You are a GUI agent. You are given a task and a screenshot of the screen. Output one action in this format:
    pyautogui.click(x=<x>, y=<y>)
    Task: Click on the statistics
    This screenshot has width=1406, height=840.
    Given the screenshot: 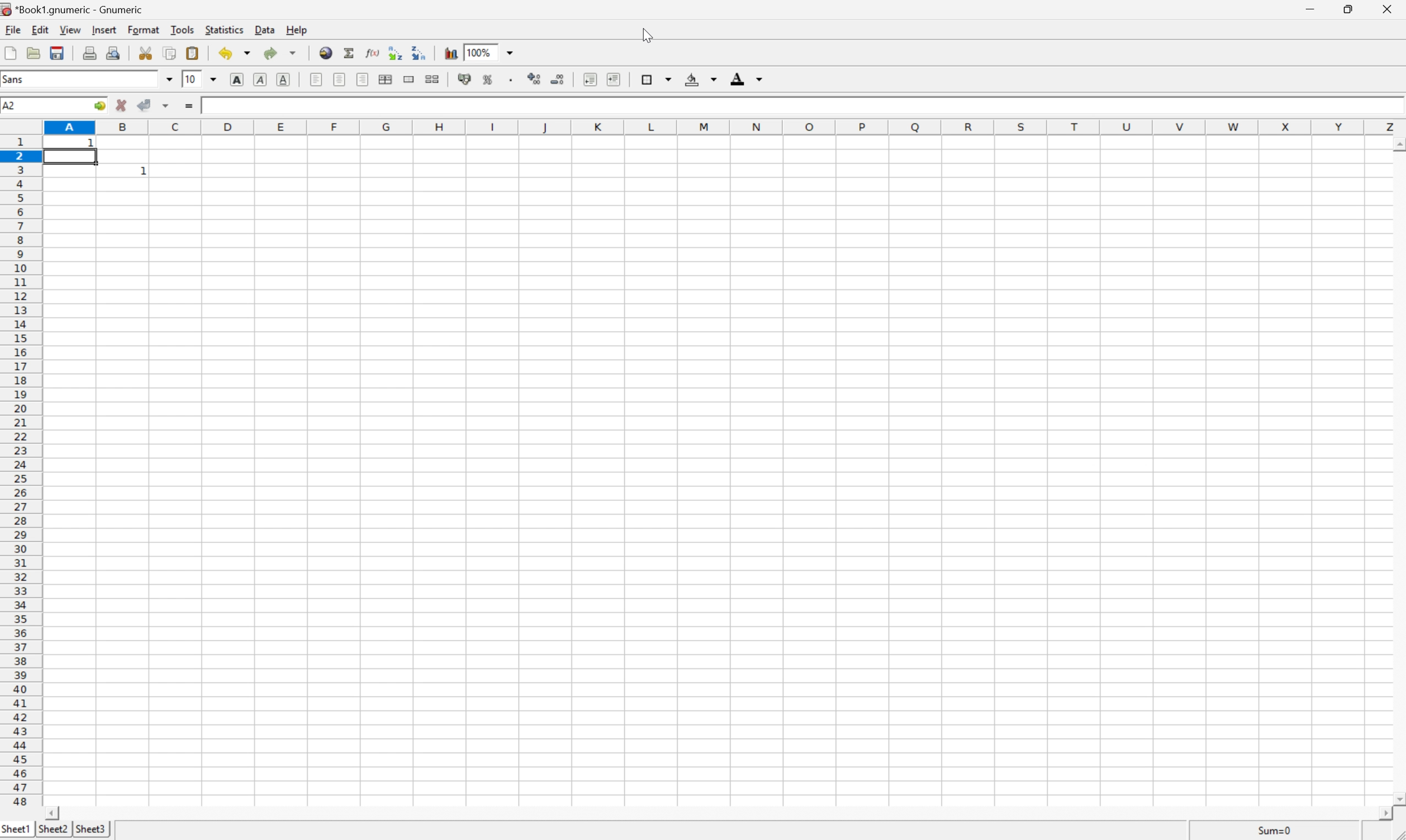 What is the action you would take?
    pyautogui.click(x=224, y=29)
    